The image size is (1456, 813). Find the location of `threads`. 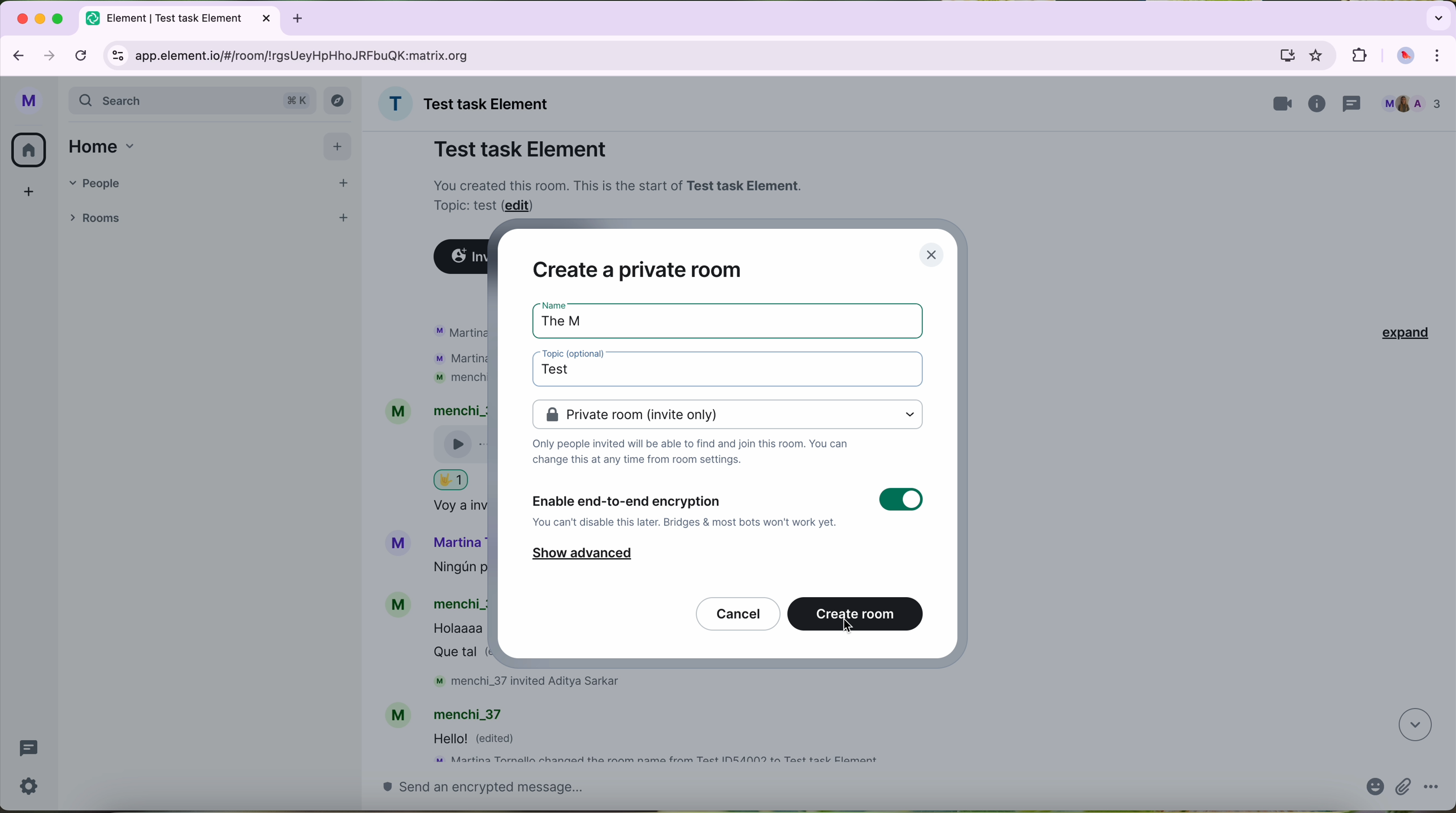

threads is located at coordinates (1355, 102).